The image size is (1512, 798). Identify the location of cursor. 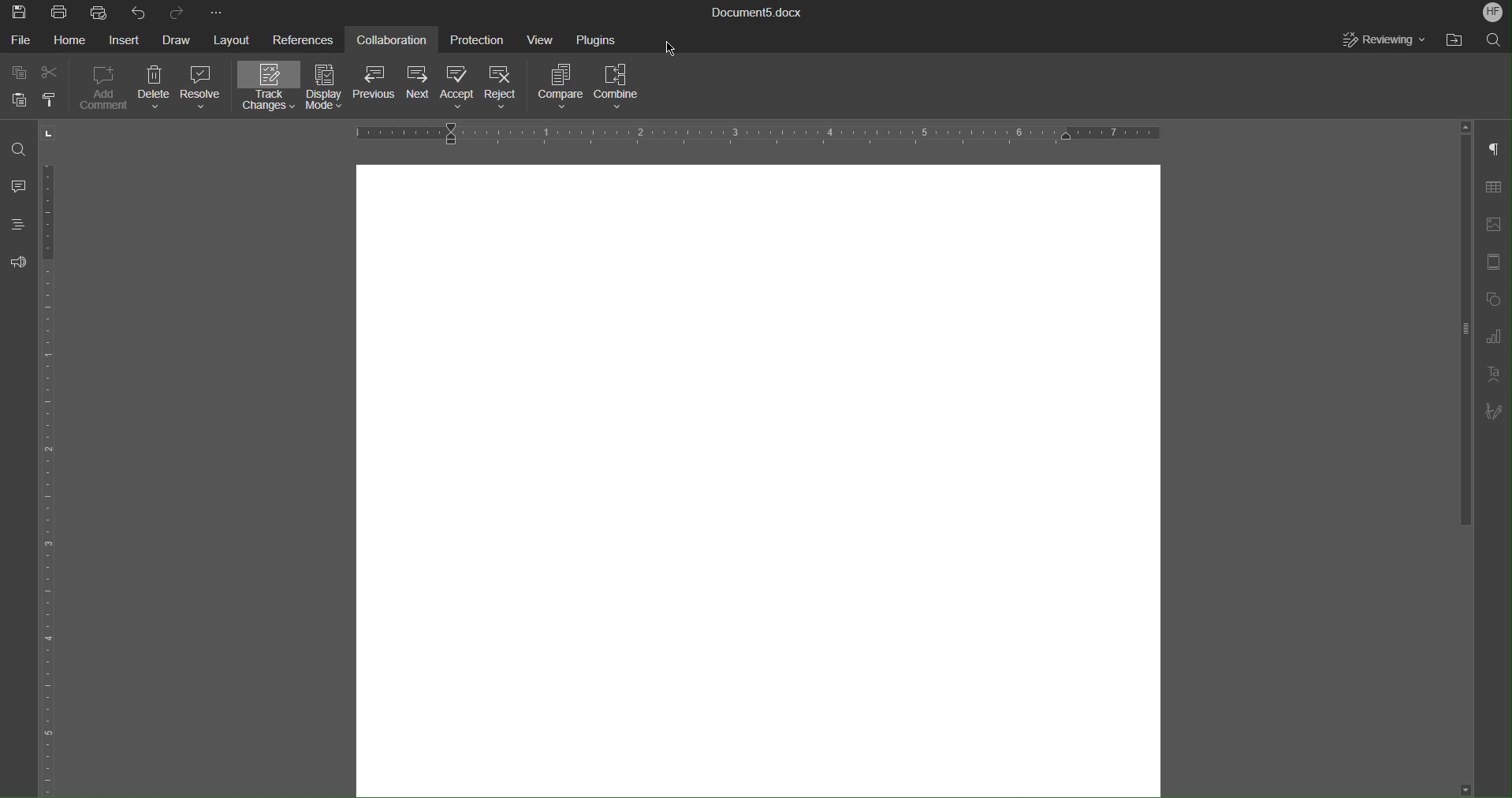
(672, 43).